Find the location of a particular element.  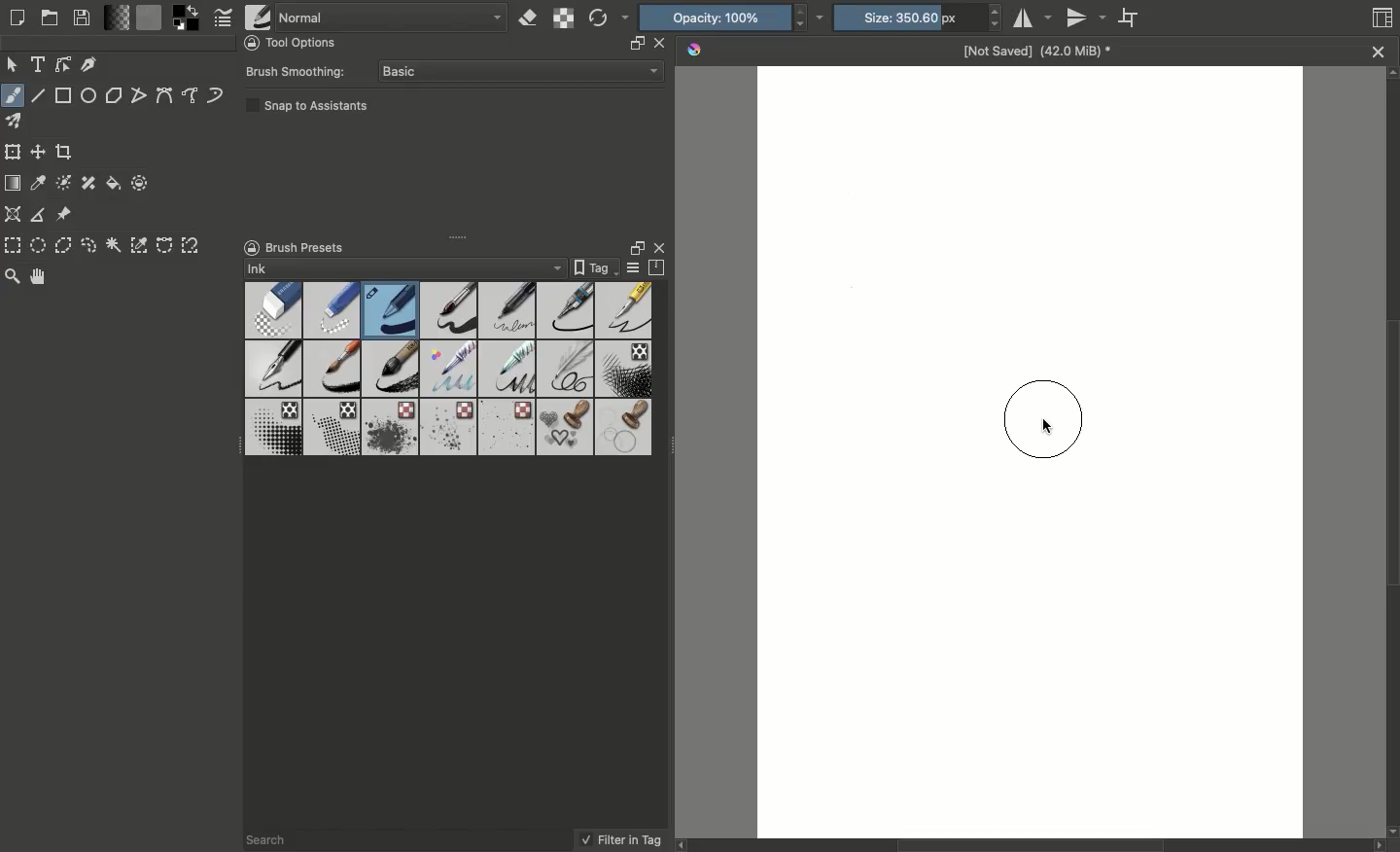

Wrap around mode is located at coordinates (1132, 17).